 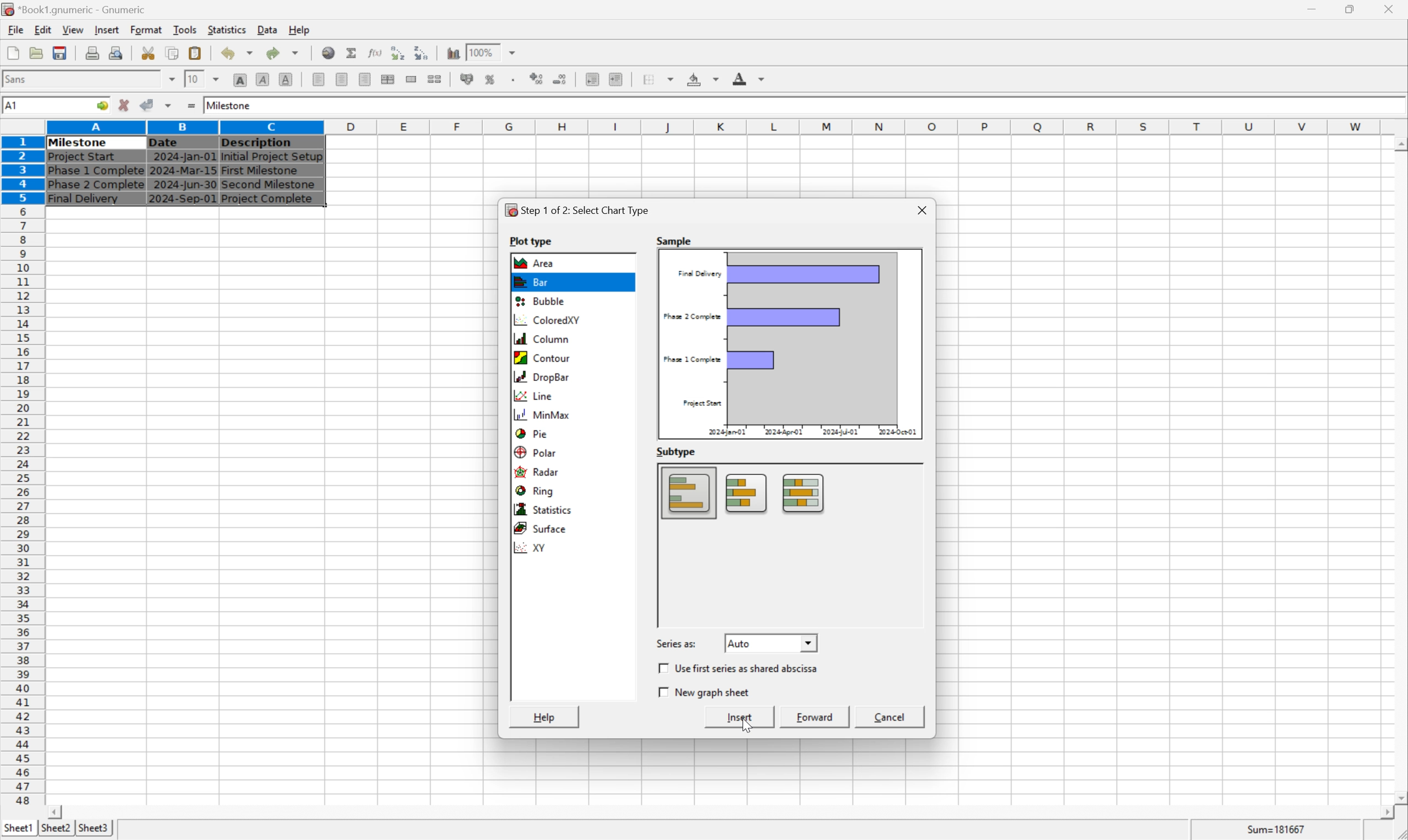 What do you see at coordinates (128, 106) in the screenshot?
I see `cancel changes` at bounding box center [128, 106].